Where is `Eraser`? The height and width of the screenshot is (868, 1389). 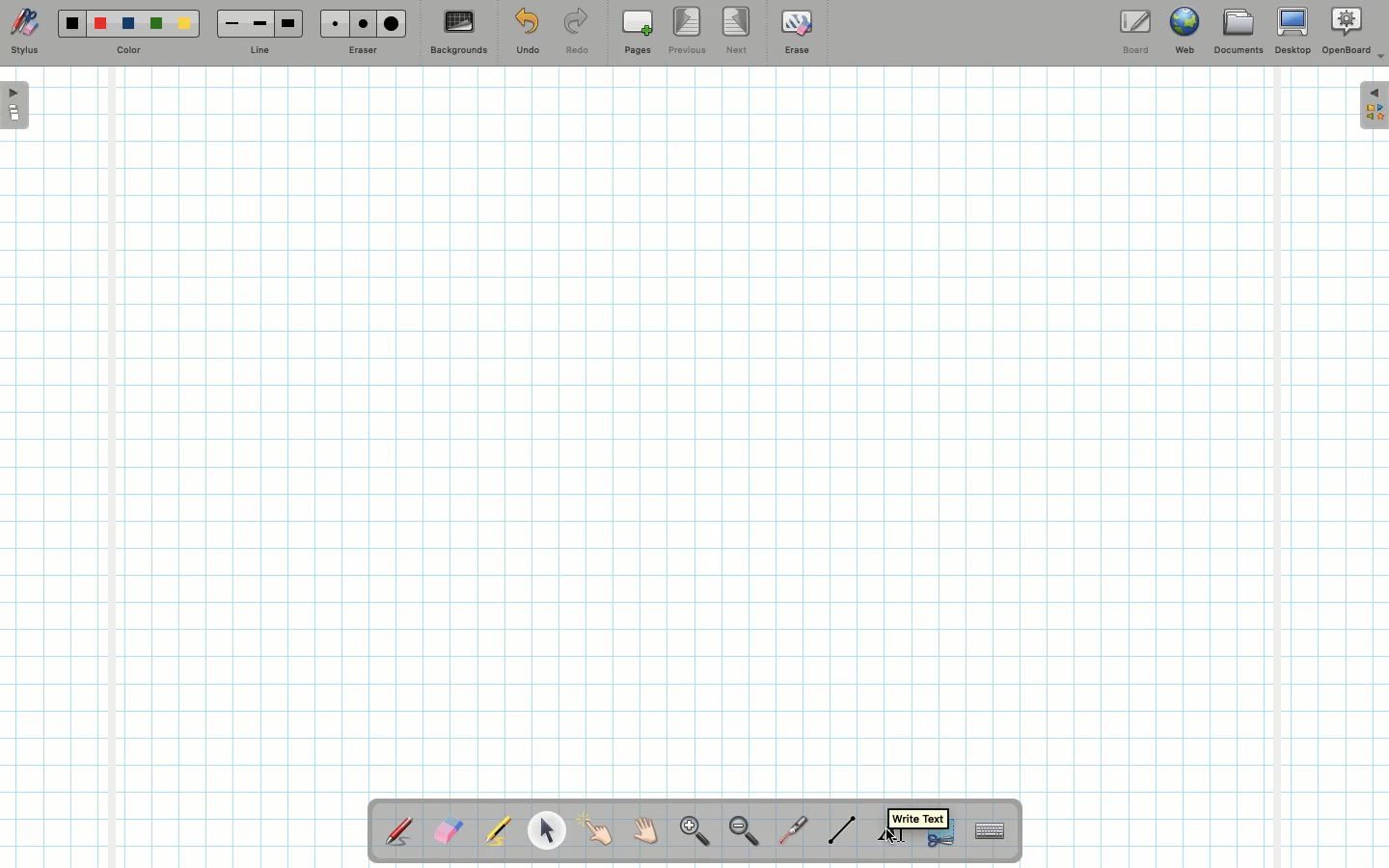 Eraser is located at coordinates (362, 52).